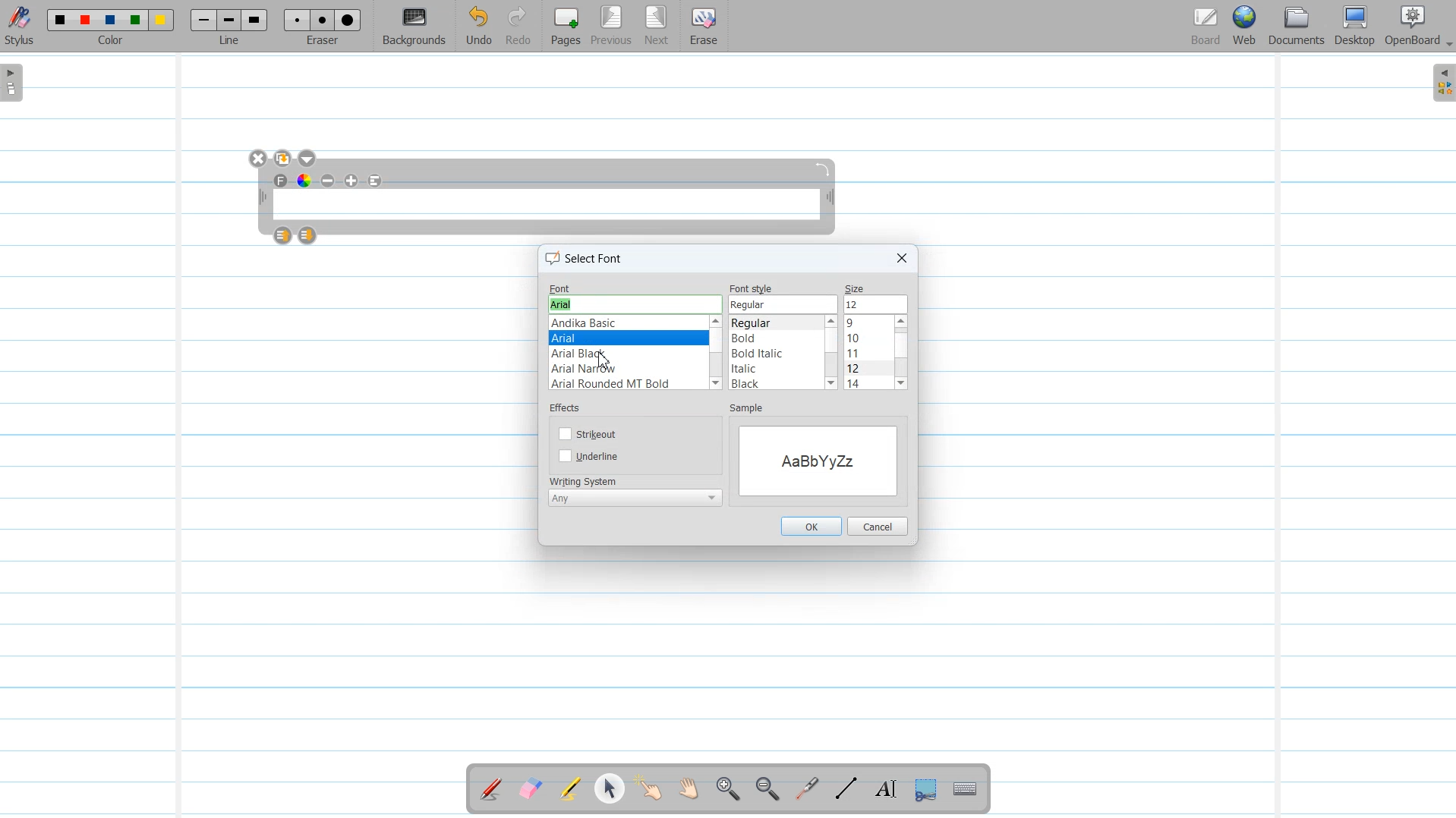 This screenshot has height=818, width=1456. Describe the element at coordinates (284, 235) in the screenshot. I see `Layer up` at that location.